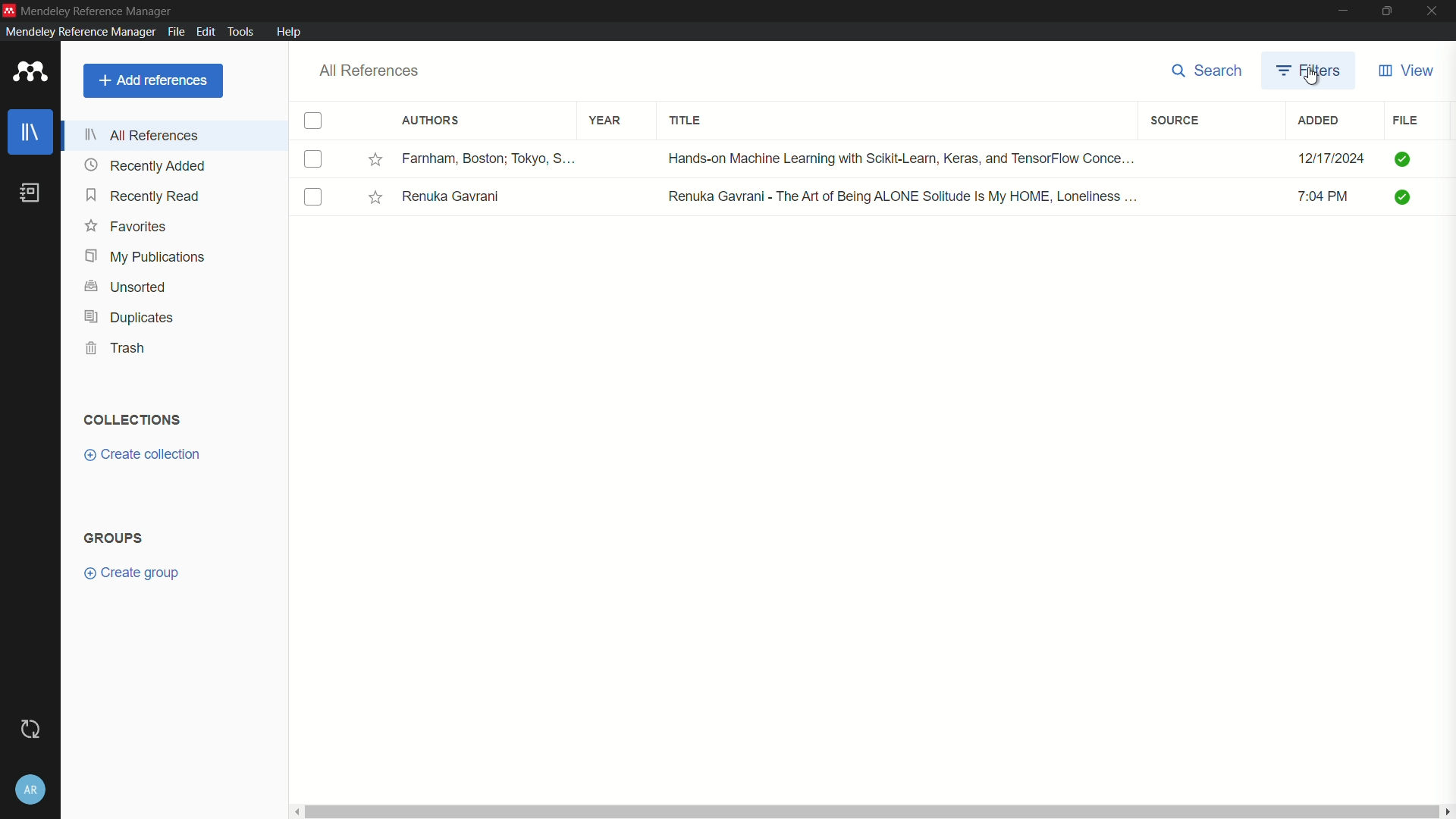  I want to click on favorites, so click(128, 226).